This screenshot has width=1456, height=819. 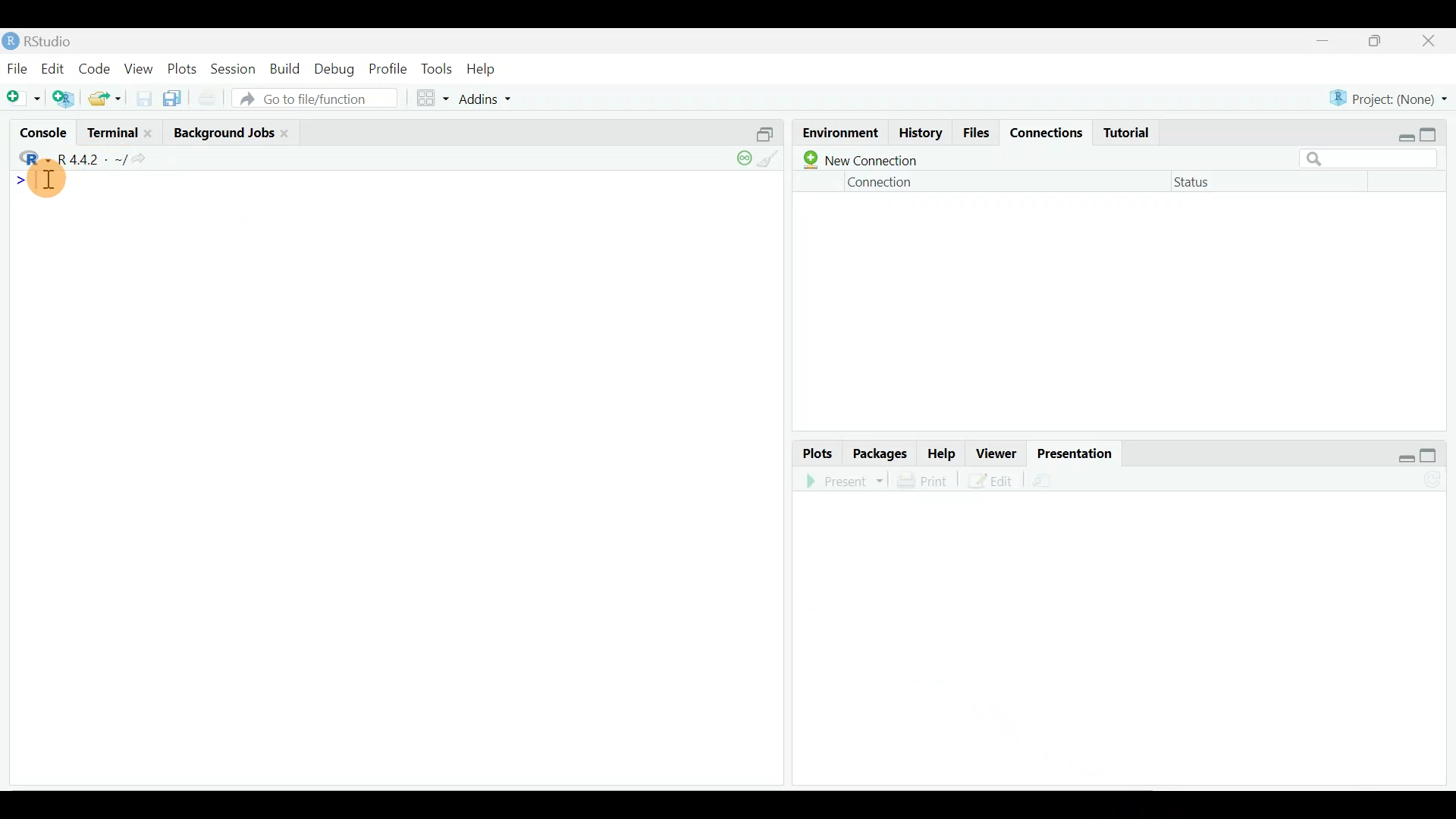 I want to click on Packages, so click(x=879, y=453).